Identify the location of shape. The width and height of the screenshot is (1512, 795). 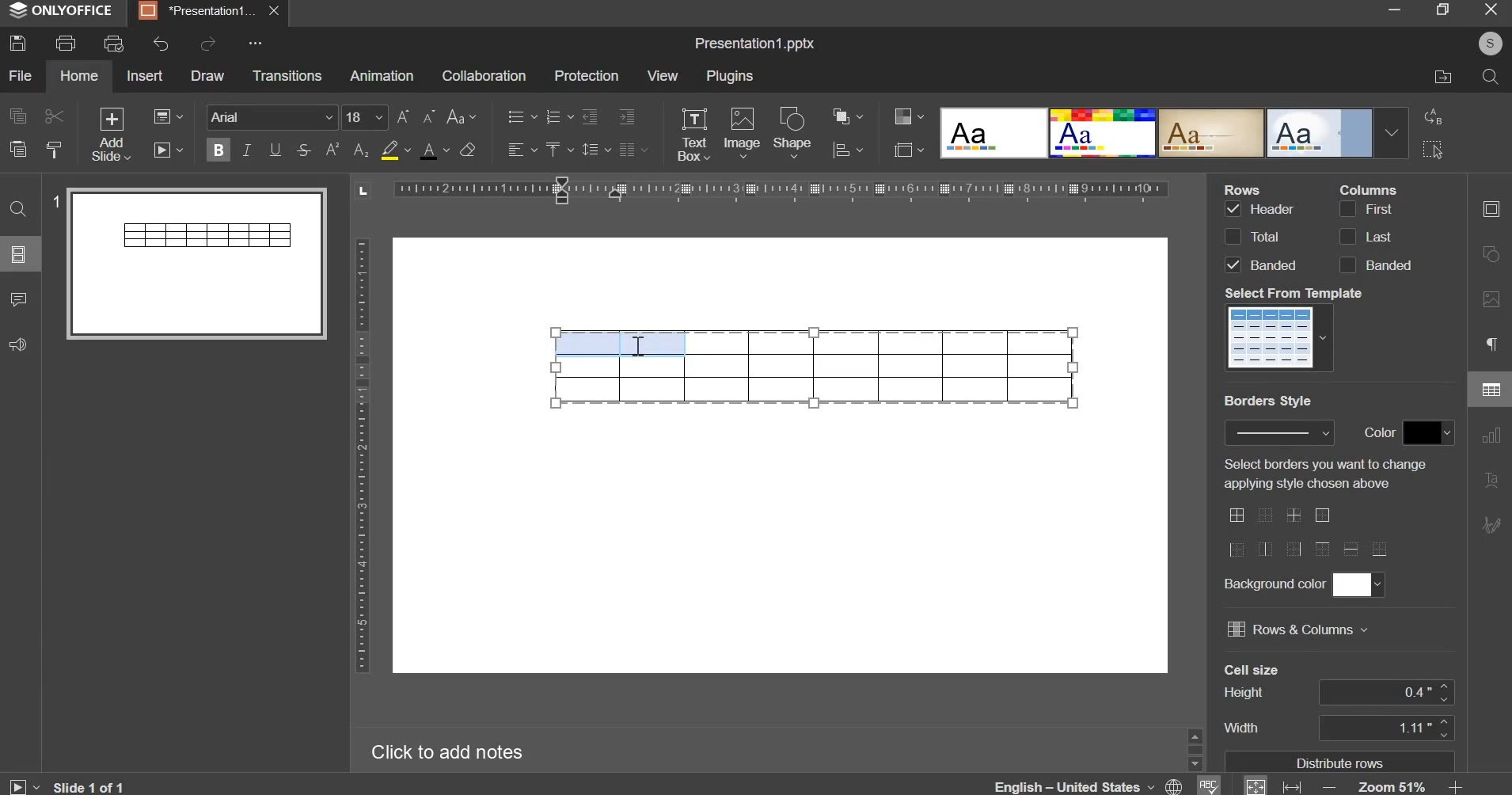
(794, 132).